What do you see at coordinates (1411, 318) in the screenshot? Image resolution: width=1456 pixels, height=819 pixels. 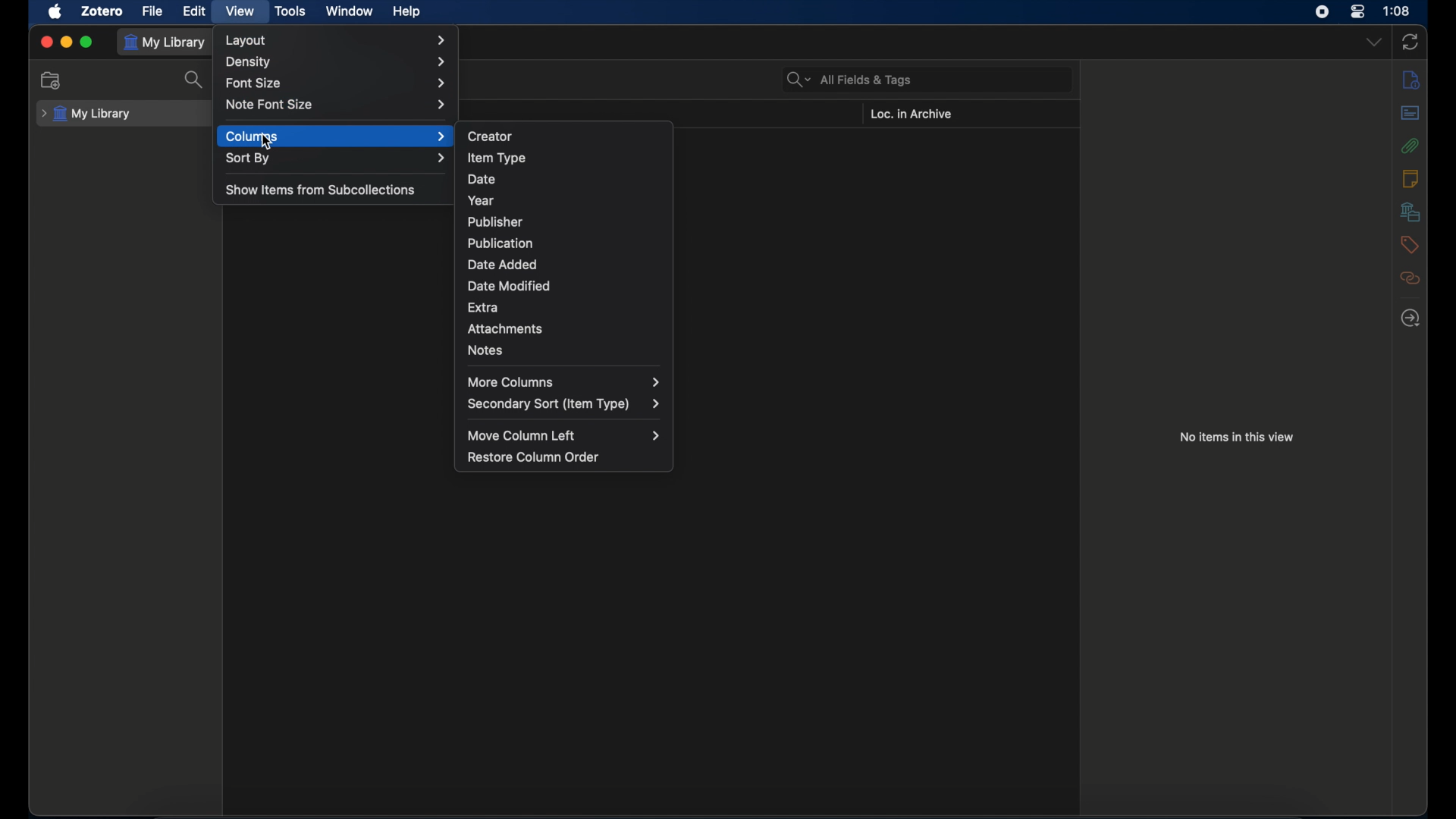 I see `locate` at bounding box center [1411, 318].